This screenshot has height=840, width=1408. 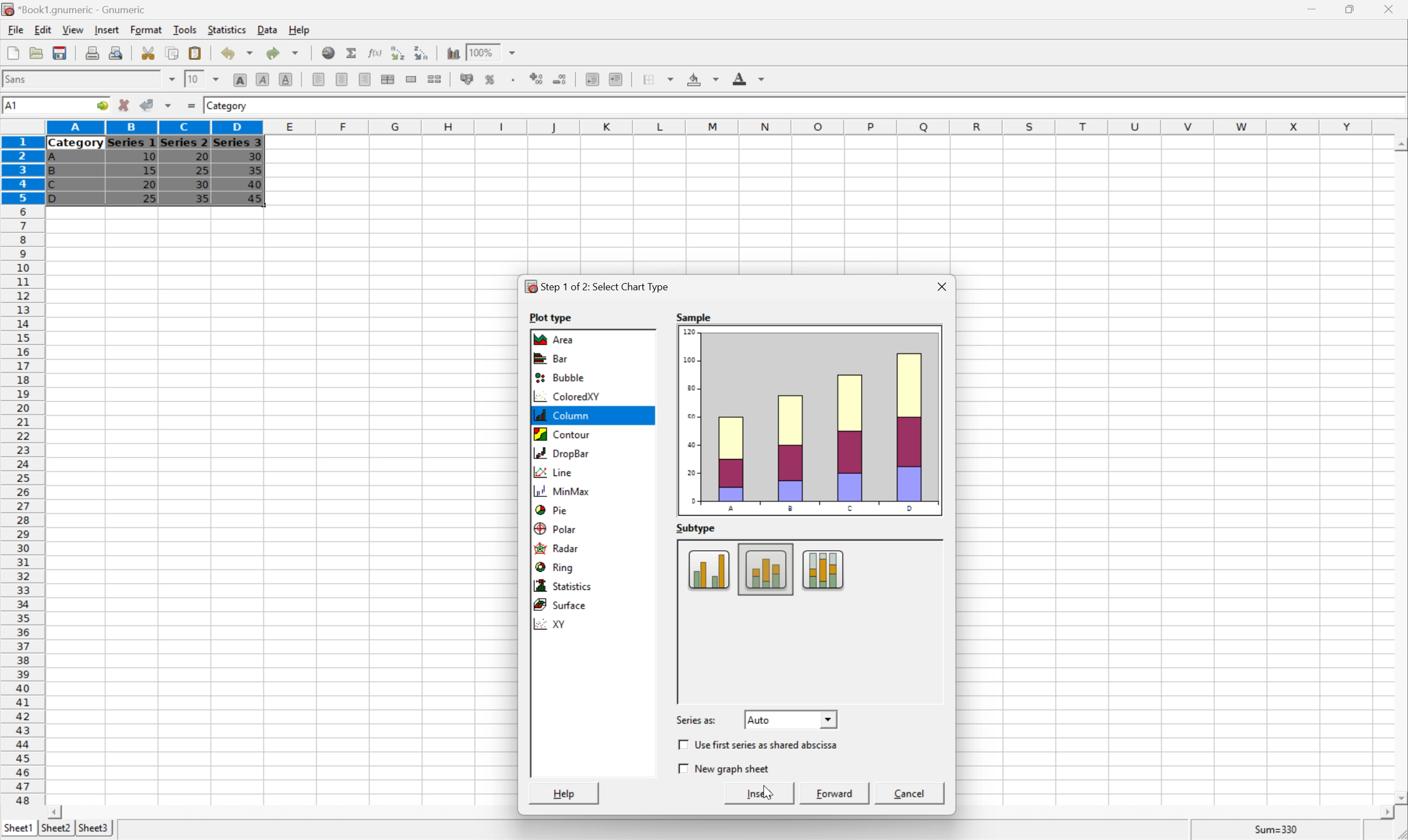 What do you see at coordinates (558, 379) in the screenshot?
I see `Bubble` at bounding box center [558, 379].